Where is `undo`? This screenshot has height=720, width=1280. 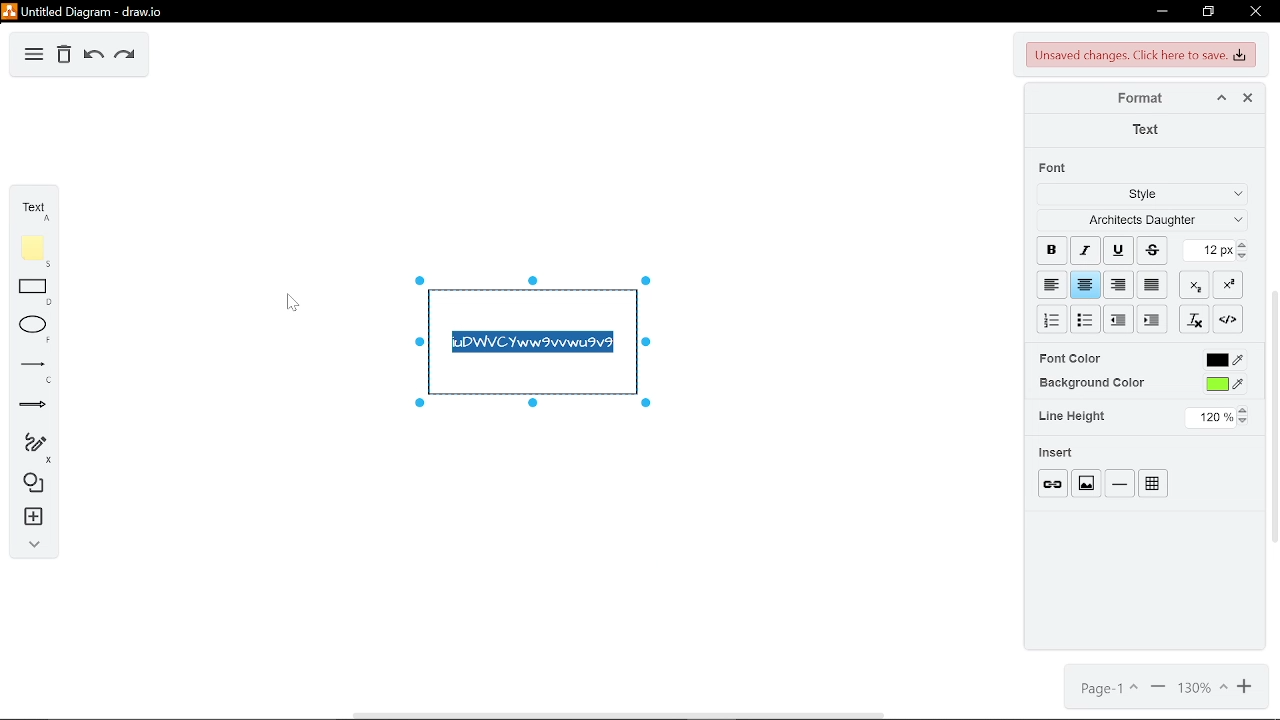 undo is located at coordinates (94, 56).